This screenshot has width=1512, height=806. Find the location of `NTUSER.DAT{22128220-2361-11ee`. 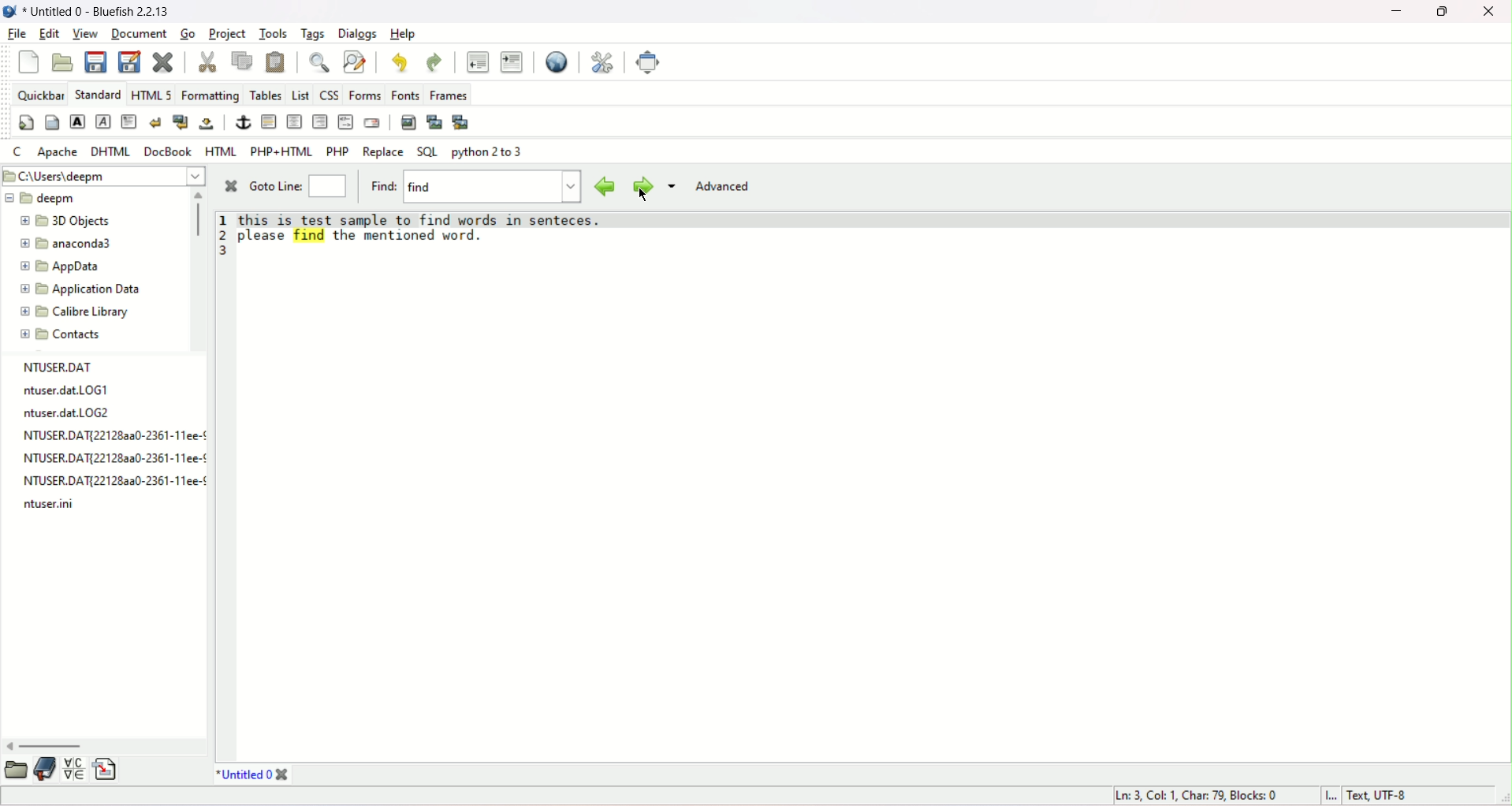

NTUSER.DAT{22128220-2361-11ee is located at coordinates (104, 460).